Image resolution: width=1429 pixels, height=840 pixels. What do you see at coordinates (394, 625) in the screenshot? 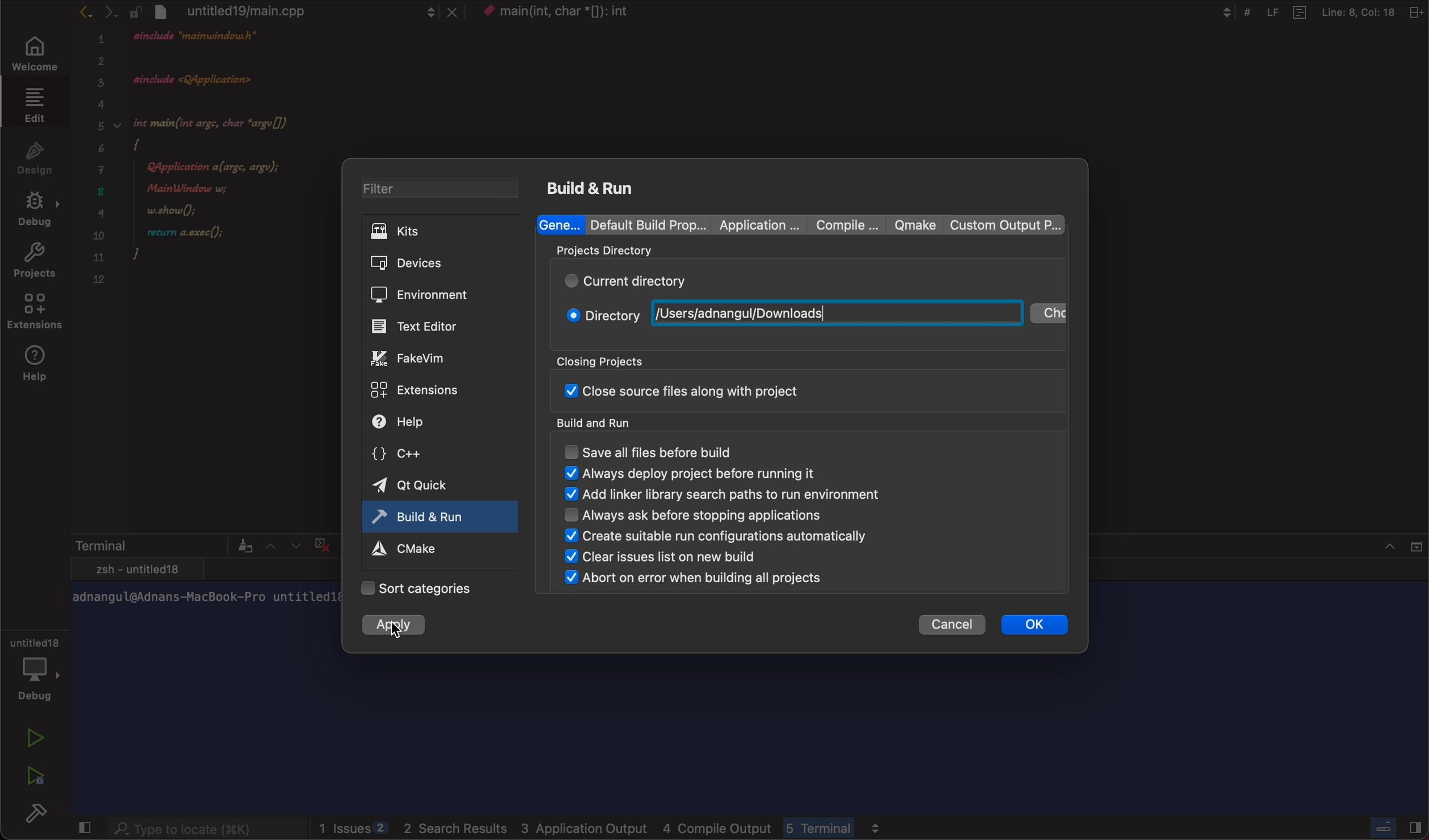
I see `apply changes` at bounding box center [394, 625].